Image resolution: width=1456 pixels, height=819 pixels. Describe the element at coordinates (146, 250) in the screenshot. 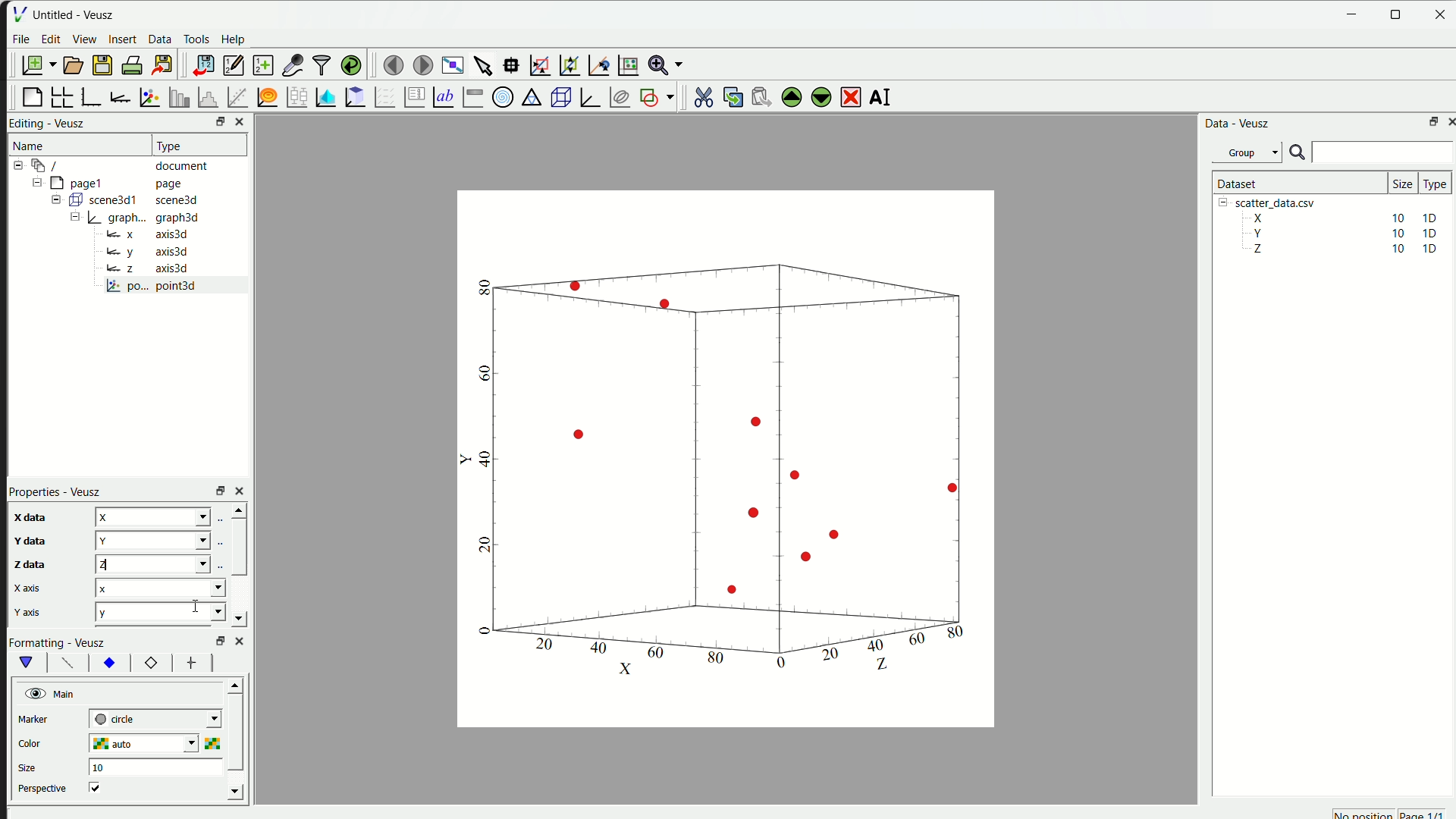

I see `y axis3d` at that location.